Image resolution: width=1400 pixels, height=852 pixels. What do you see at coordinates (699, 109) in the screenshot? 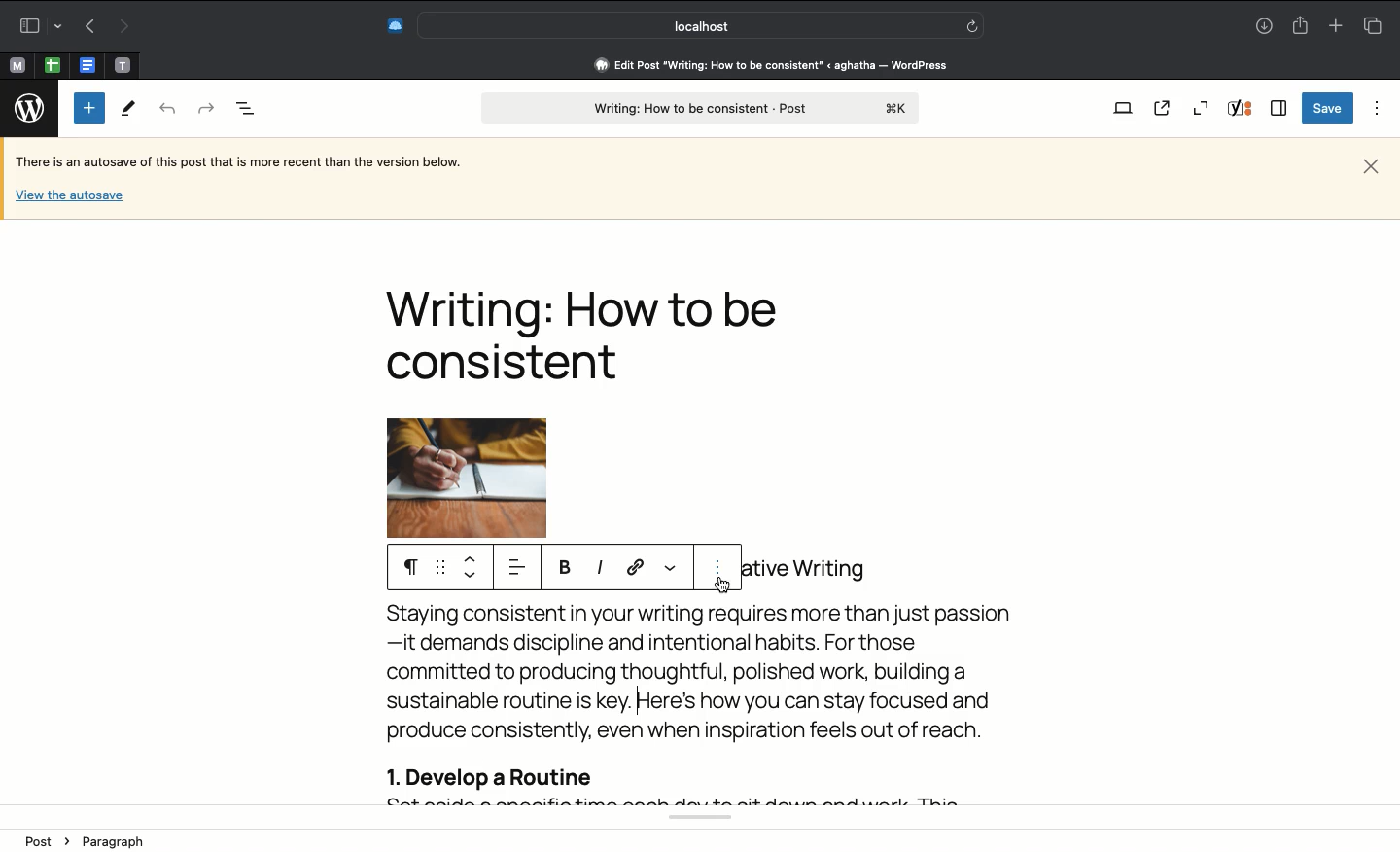
I see `Post` at bounding box center [699, 109].